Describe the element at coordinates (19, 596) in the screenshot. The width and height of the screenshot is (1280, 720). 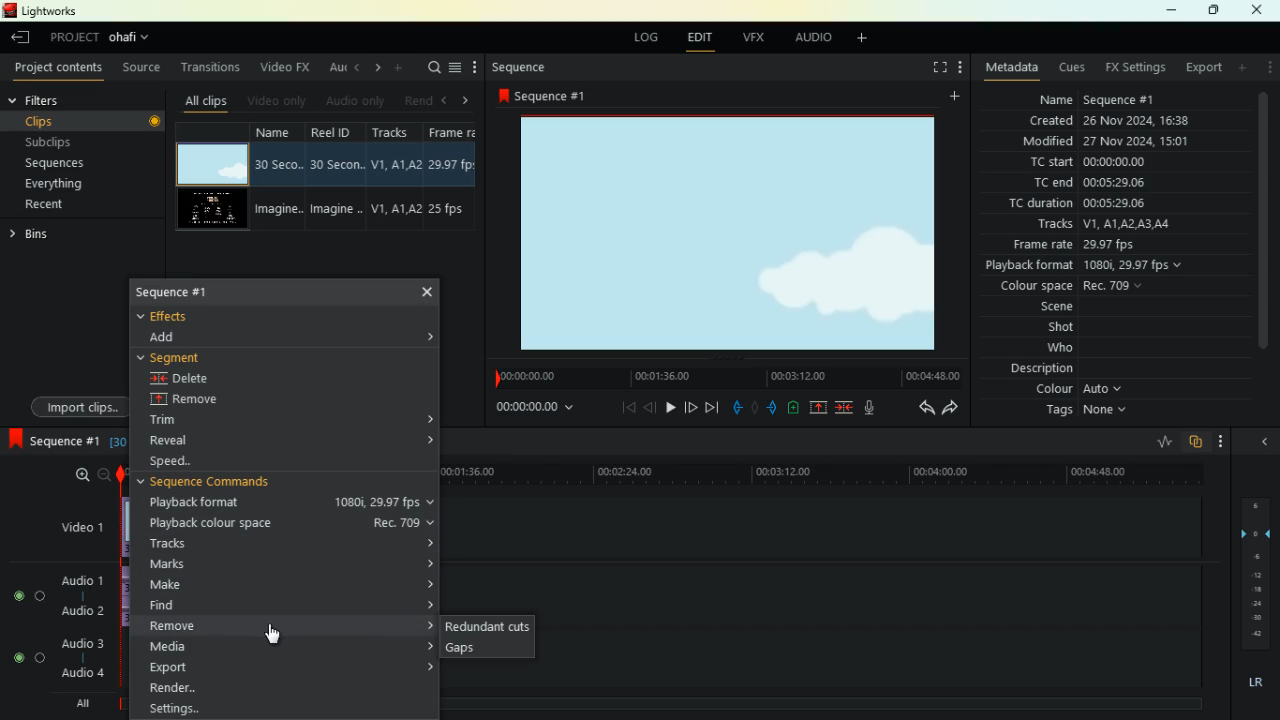
I see `toggle` at that location.